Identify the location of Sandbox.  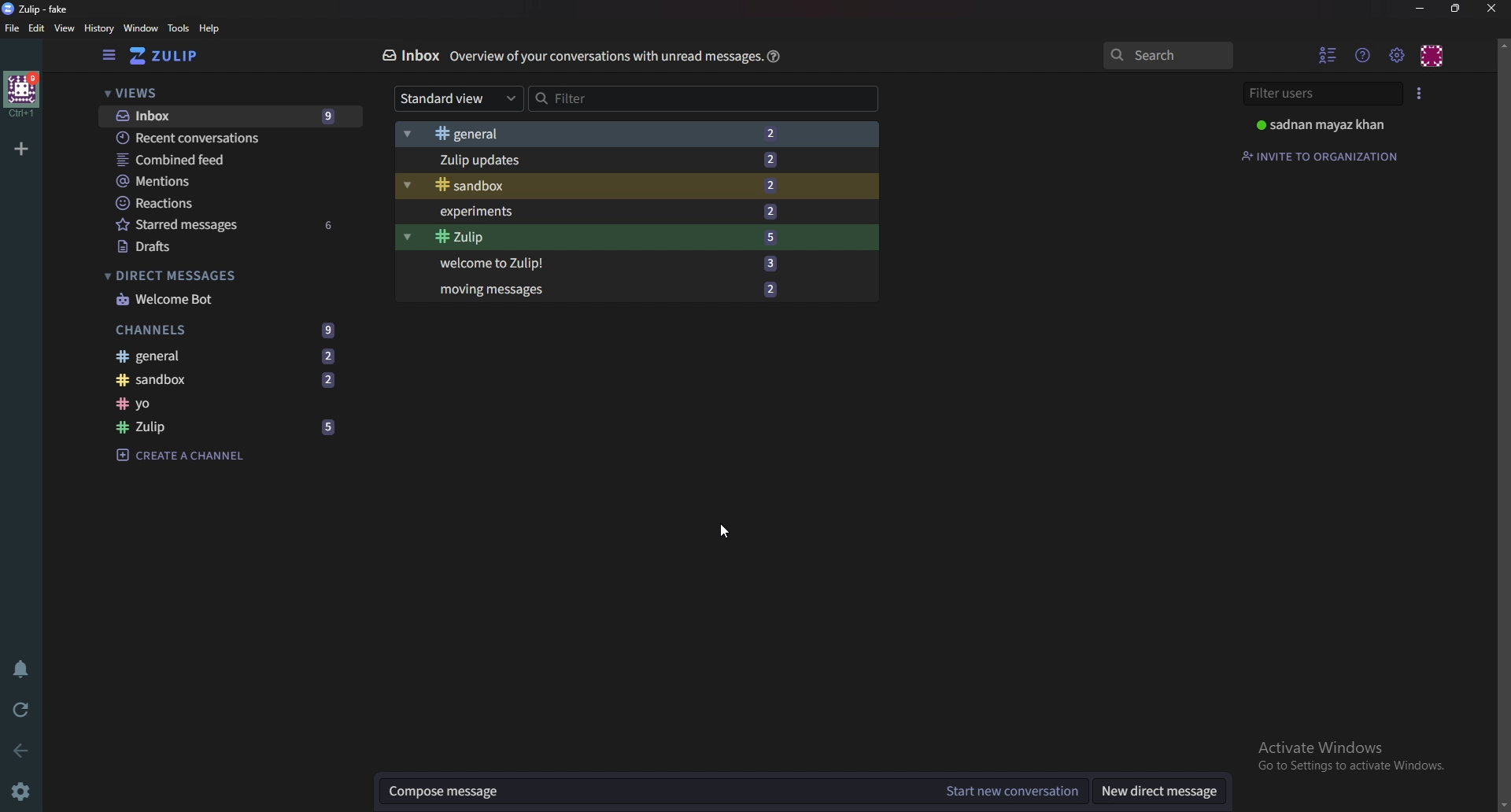
(228, 379).